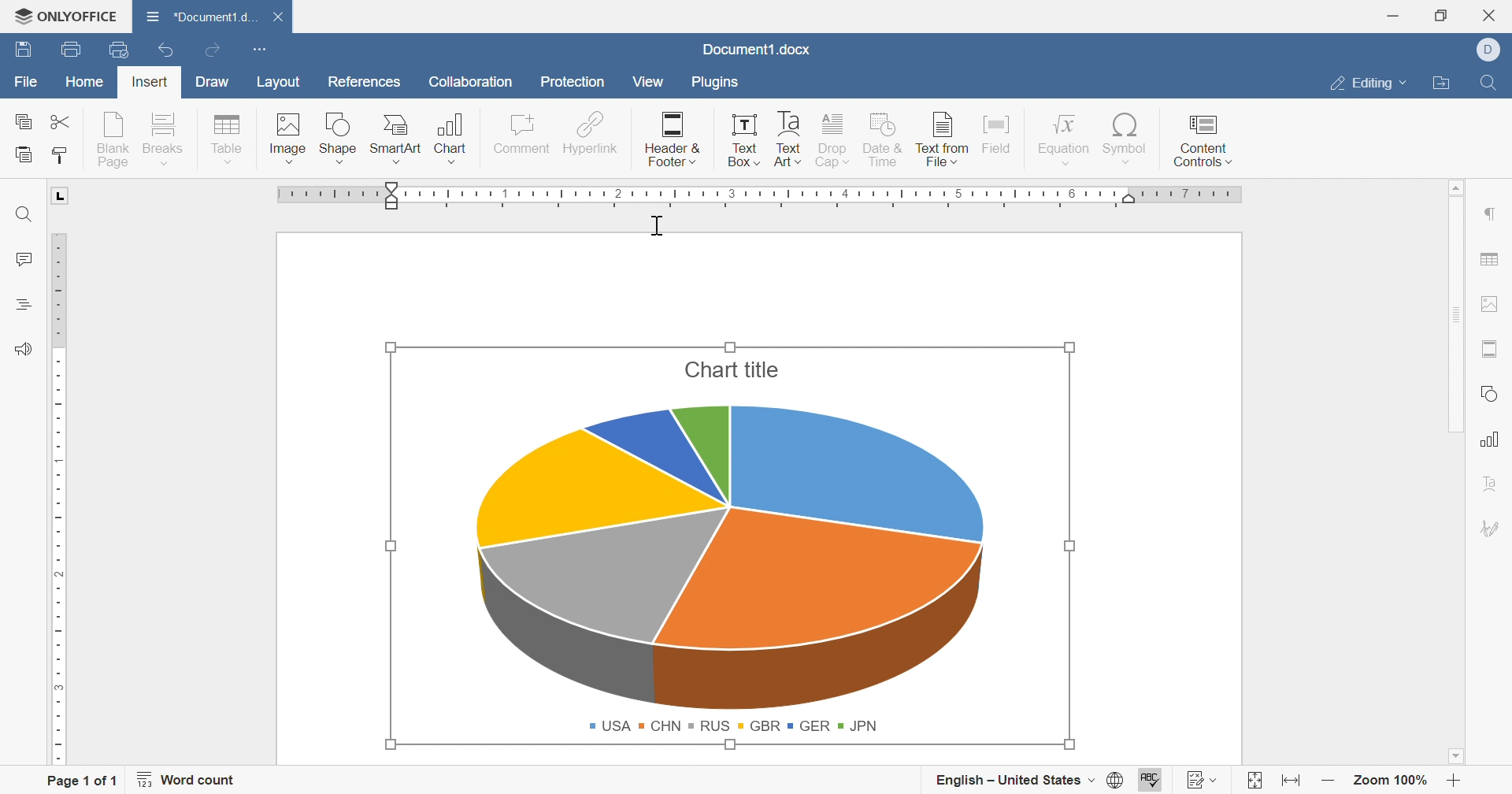 The height and width of the screenshot is (794, 1512). Describe the element at coordinates (61, 196) in the screenshot. I see `L` at that location.